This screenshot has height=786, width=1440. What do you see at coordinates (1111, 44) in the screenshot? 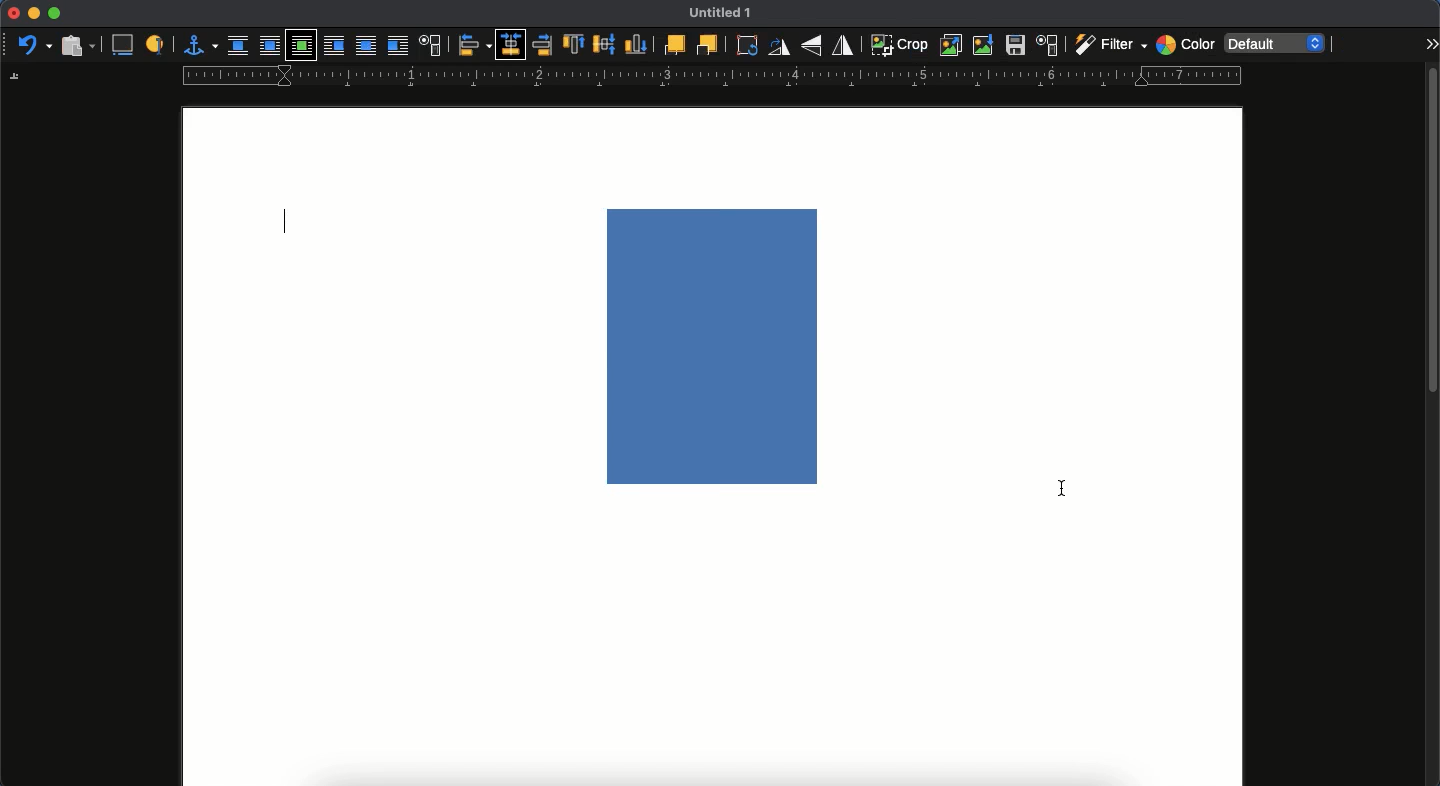
I see `filter` at bounding box center [1111, 44].